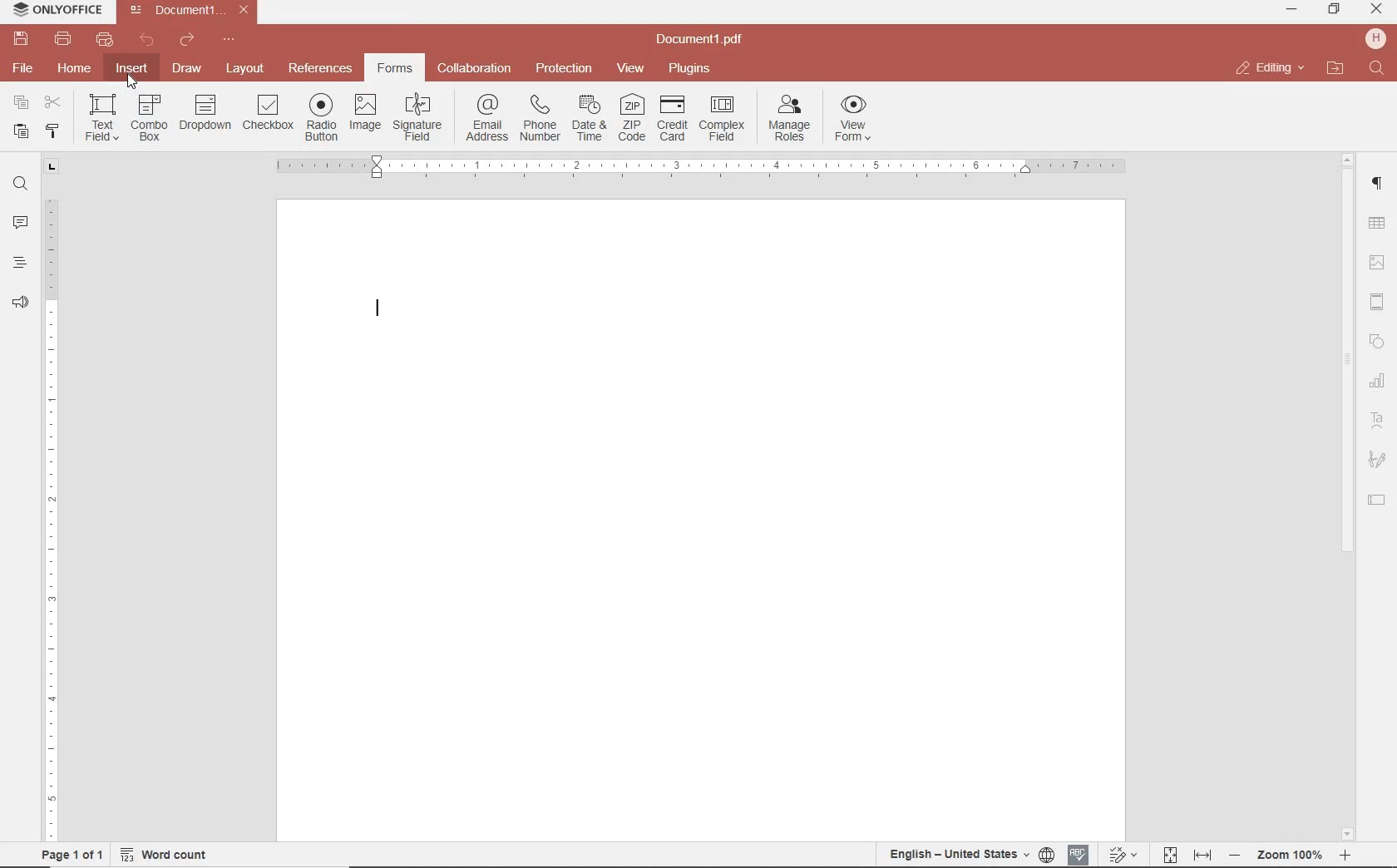  Describe the element at coordinates (19, 131) in the screenshot. I see `paste` at that location.